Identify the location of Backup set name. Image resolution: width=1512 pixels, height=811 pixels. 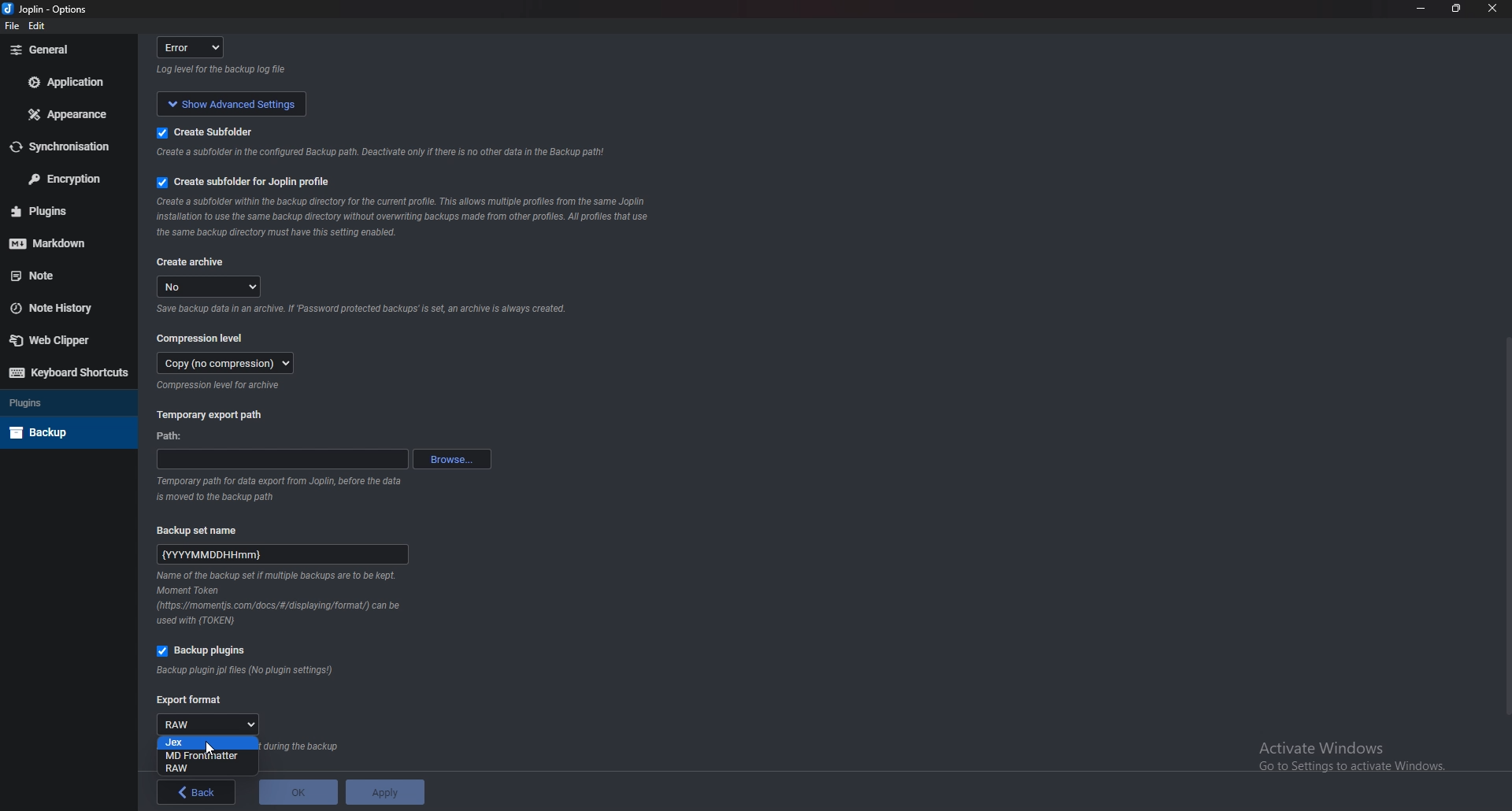
(206, 529).